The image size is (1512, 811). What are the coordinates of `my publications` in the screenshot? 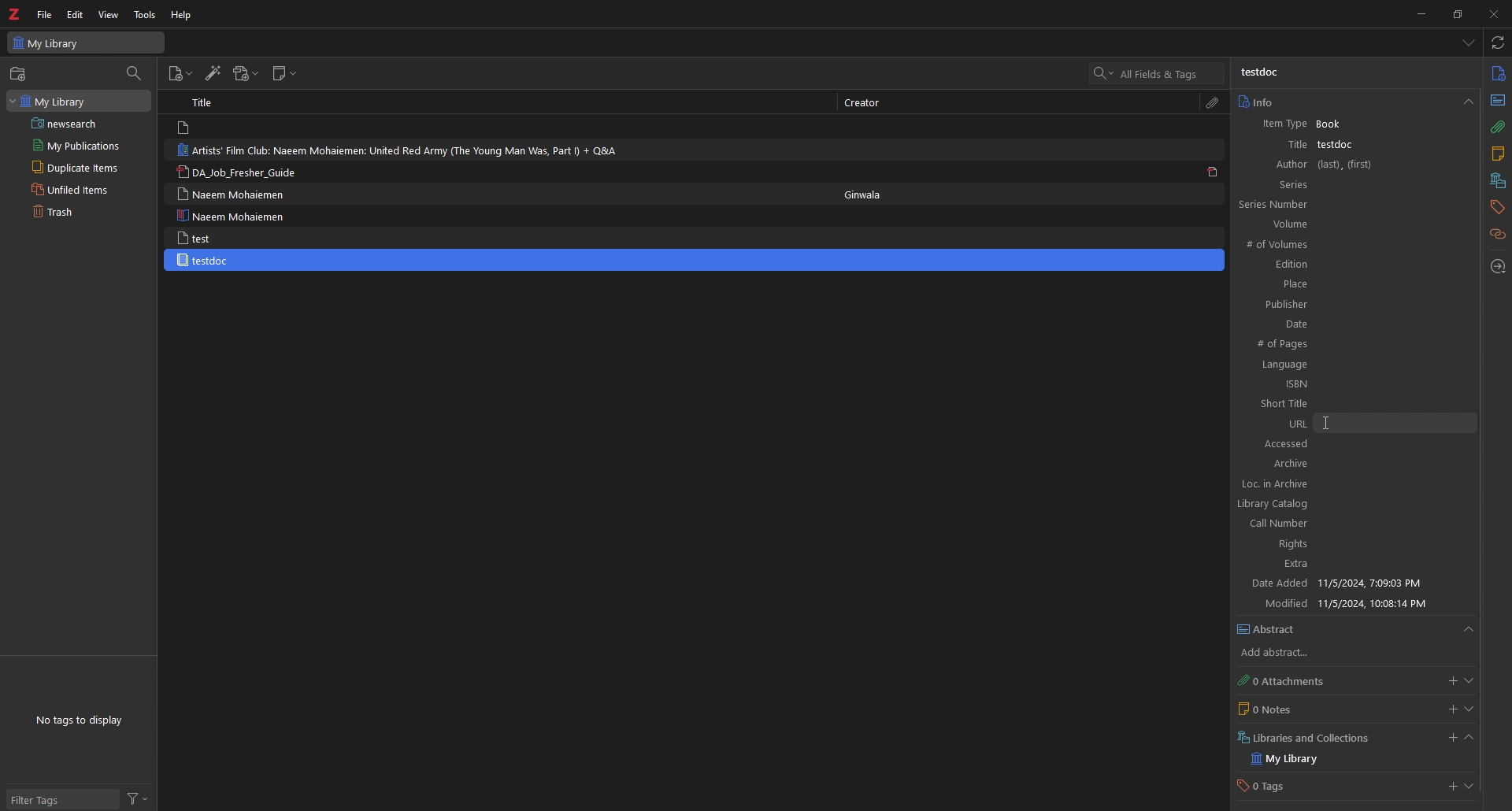 It's located at (76, 146).